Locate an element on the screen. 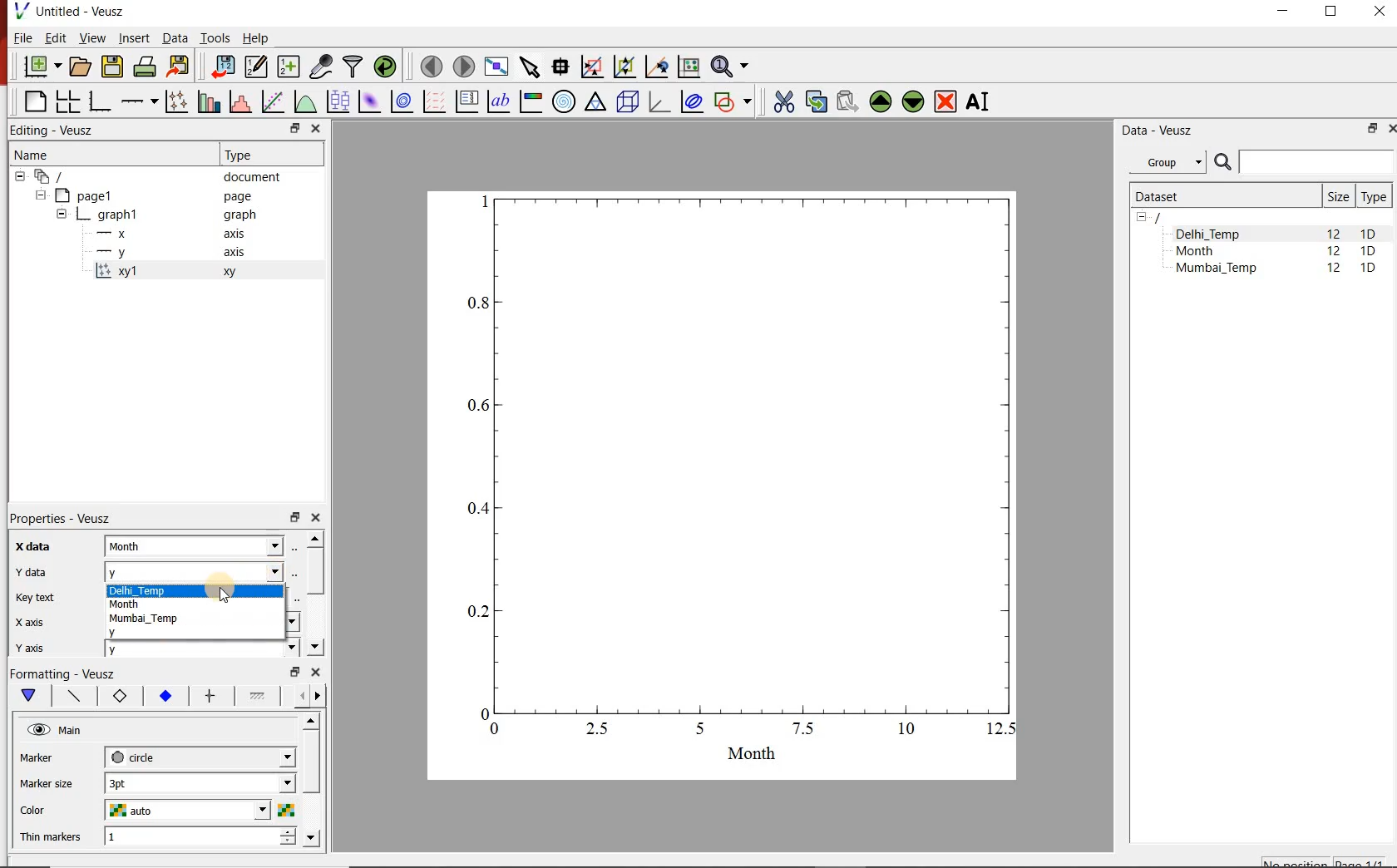 The width and height of the screenshot is (1397, 868). 1D is located at coordinates (1368, 252).